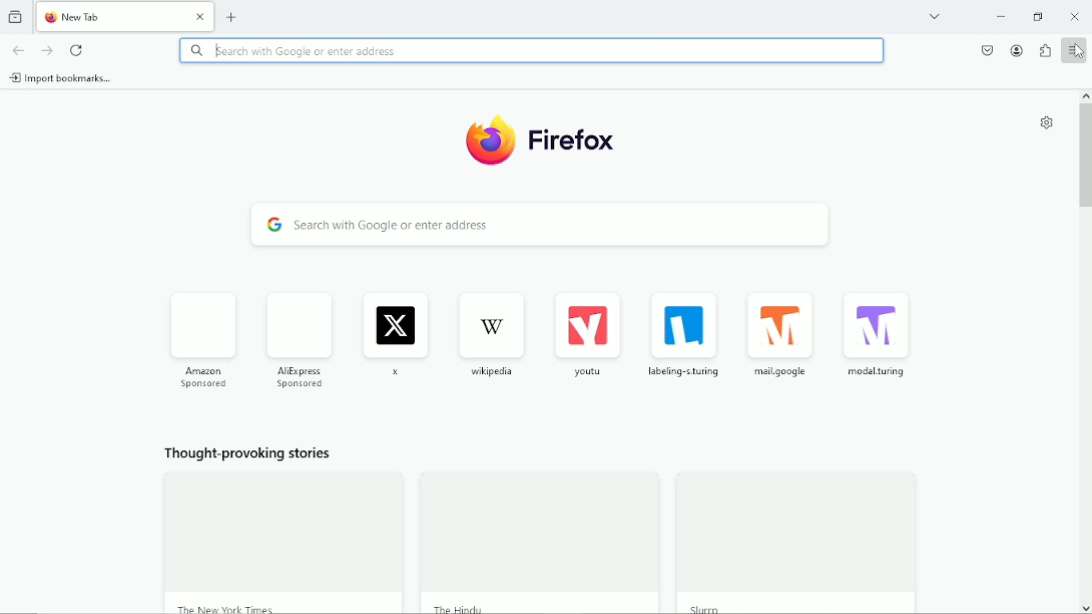  What do you see at coordinates (126, 16) in the screenshot?
I see `New tab` at bounding box center [126, 16].